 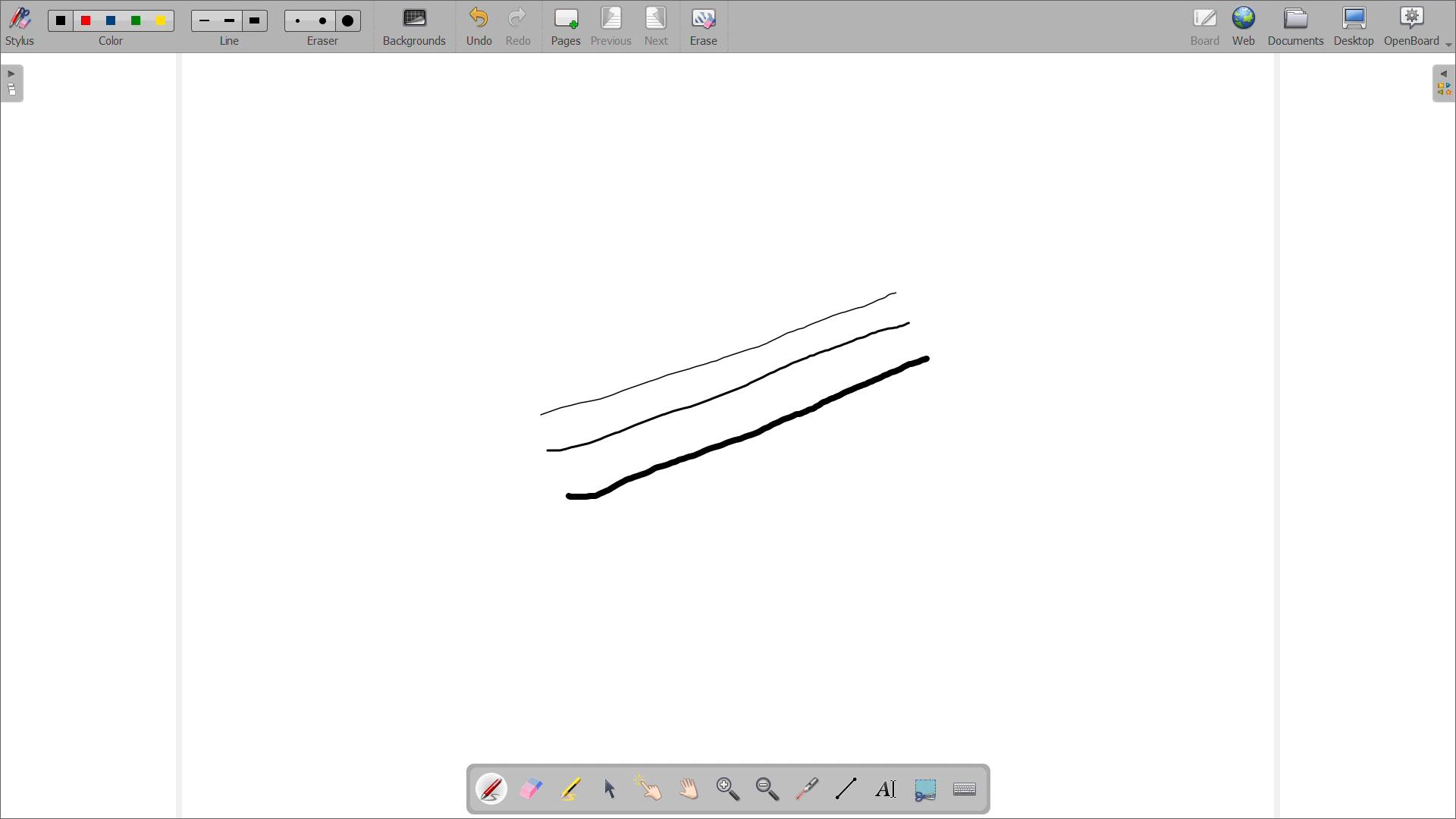 I want to click on interact with items, so click(x=650, y=788).